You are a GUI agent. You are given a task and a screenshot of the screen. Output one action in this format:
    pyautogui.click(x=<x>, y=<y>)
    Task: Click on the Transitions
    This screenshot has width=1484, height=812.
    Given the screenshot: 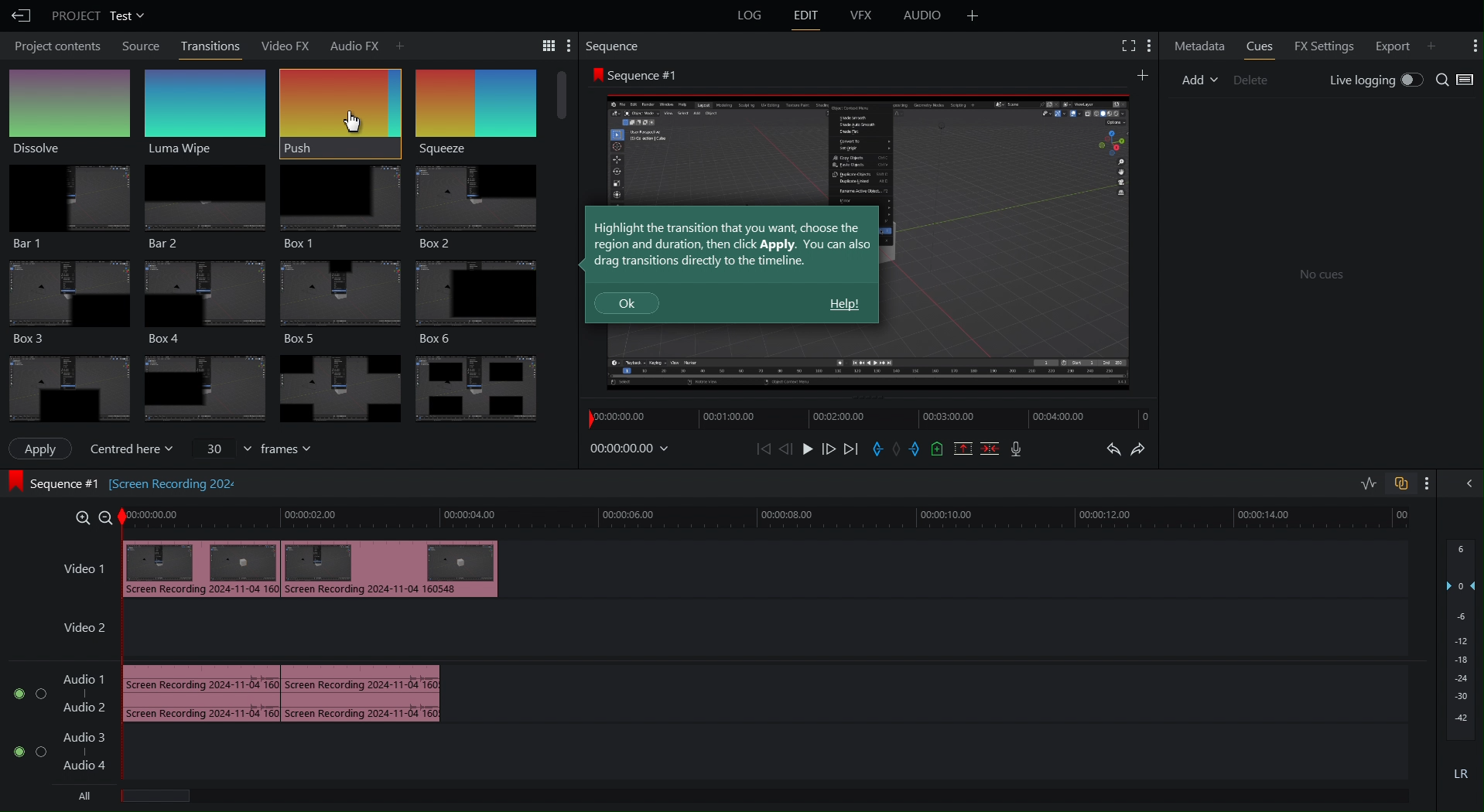 What is the action you would take?
    pyautogui.click(x=211, y=45)
    